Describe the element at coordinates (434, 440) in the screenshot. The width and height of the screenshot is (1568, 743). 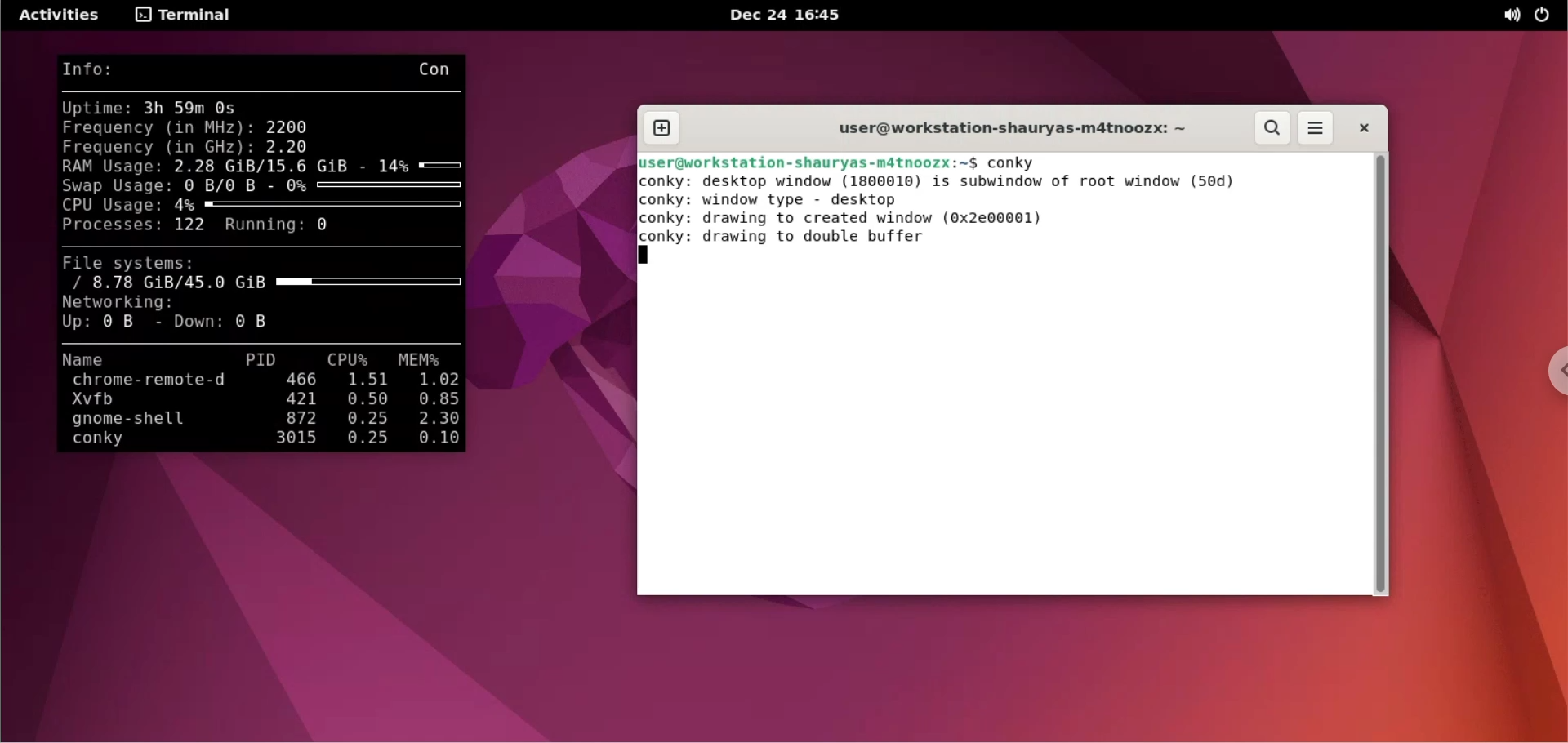
I see `0.10` at that location.